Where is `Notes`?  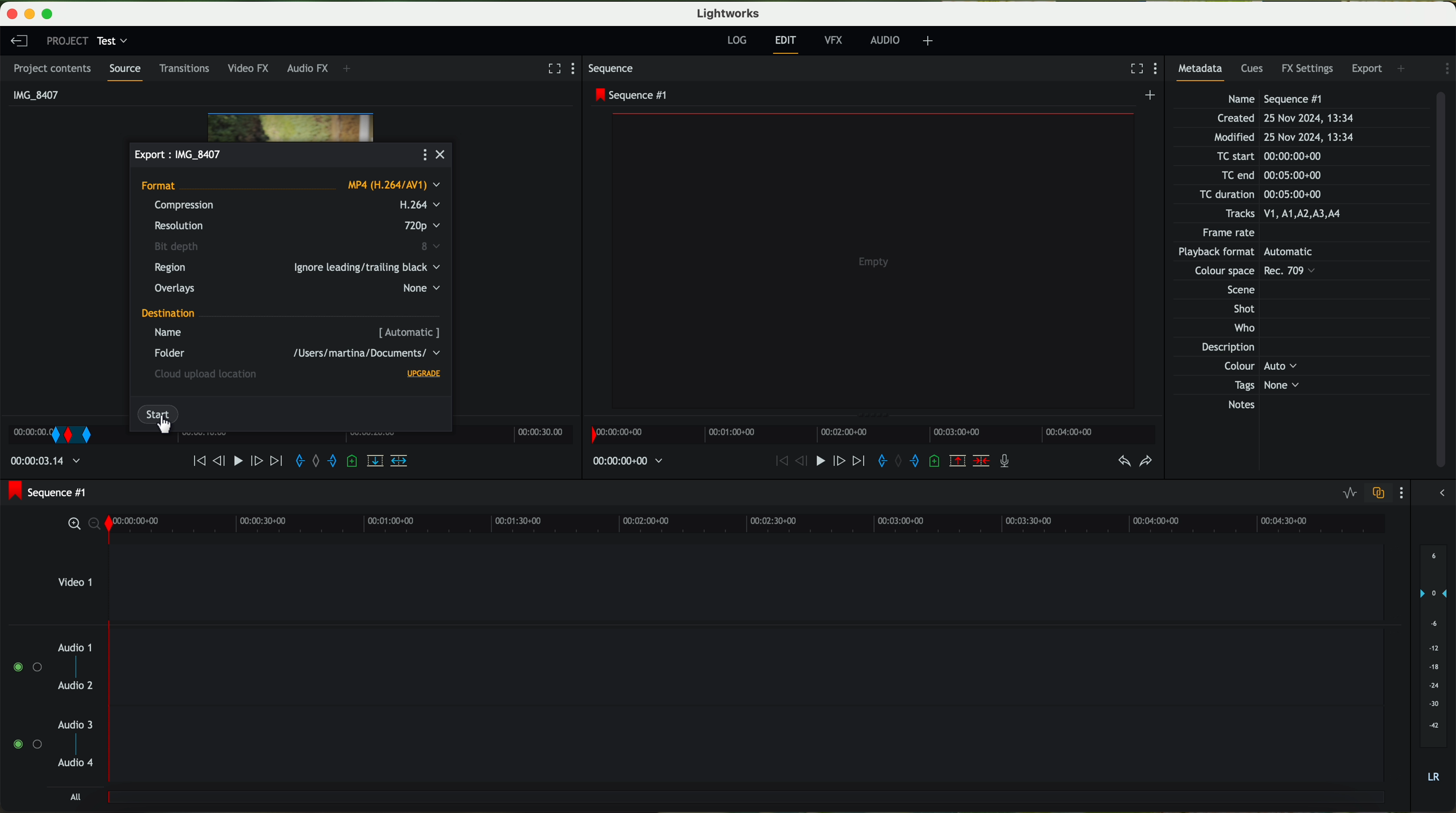
Notes is located at coordinates (1255, 405).